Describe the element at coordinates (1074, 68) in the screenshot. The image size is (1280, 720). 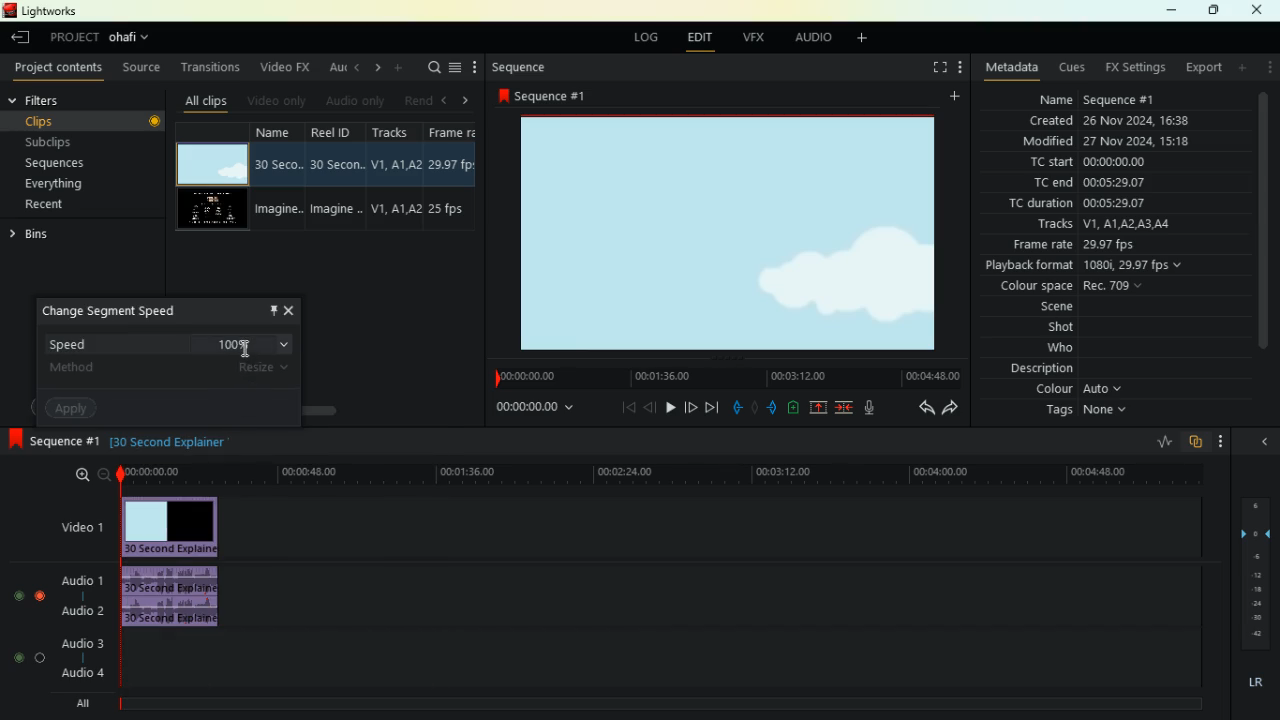
I see `cues` at that location.